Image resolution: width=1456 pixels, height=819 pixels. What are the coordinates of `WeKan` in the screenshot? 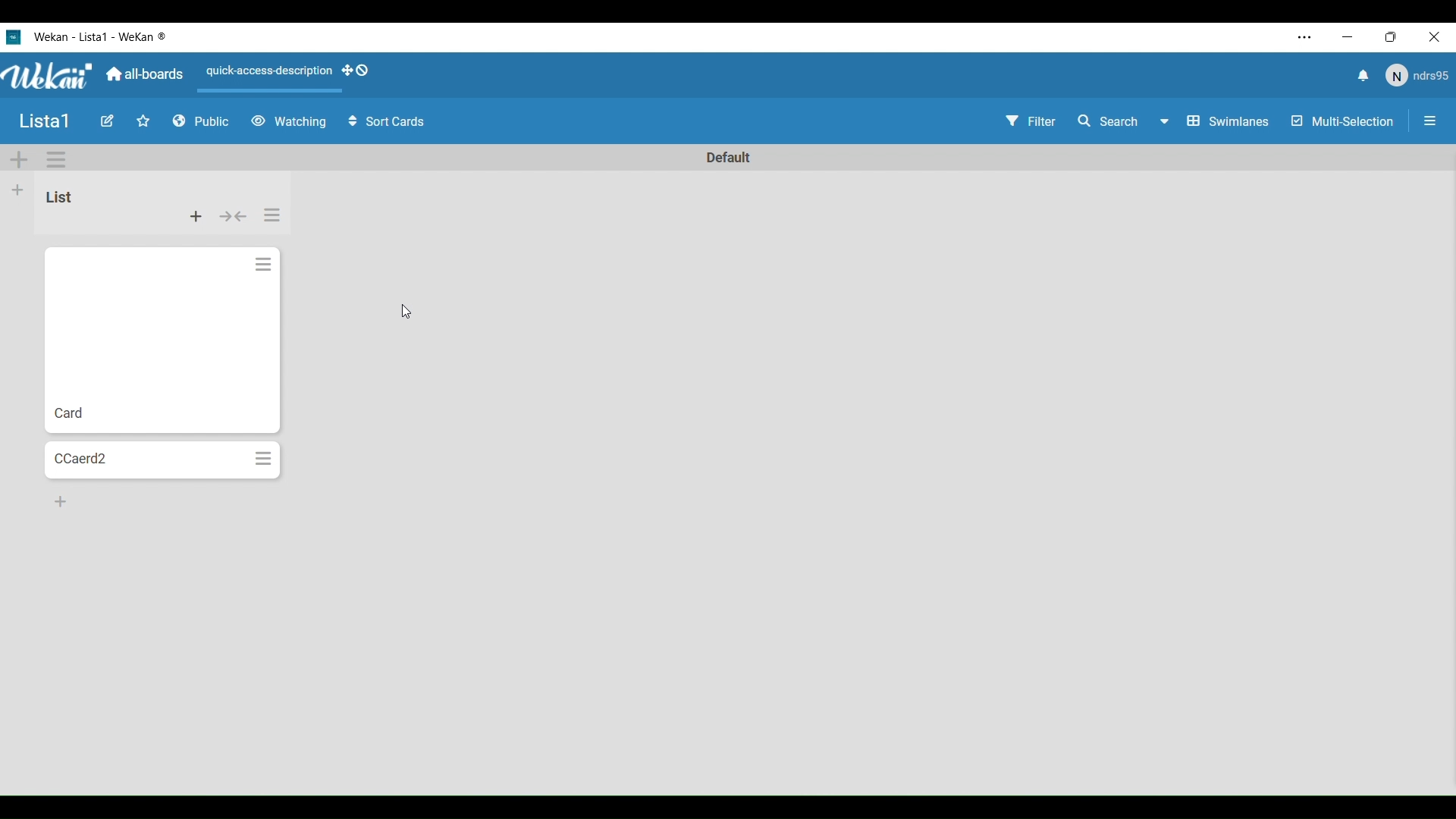 It's located at (102, 36).